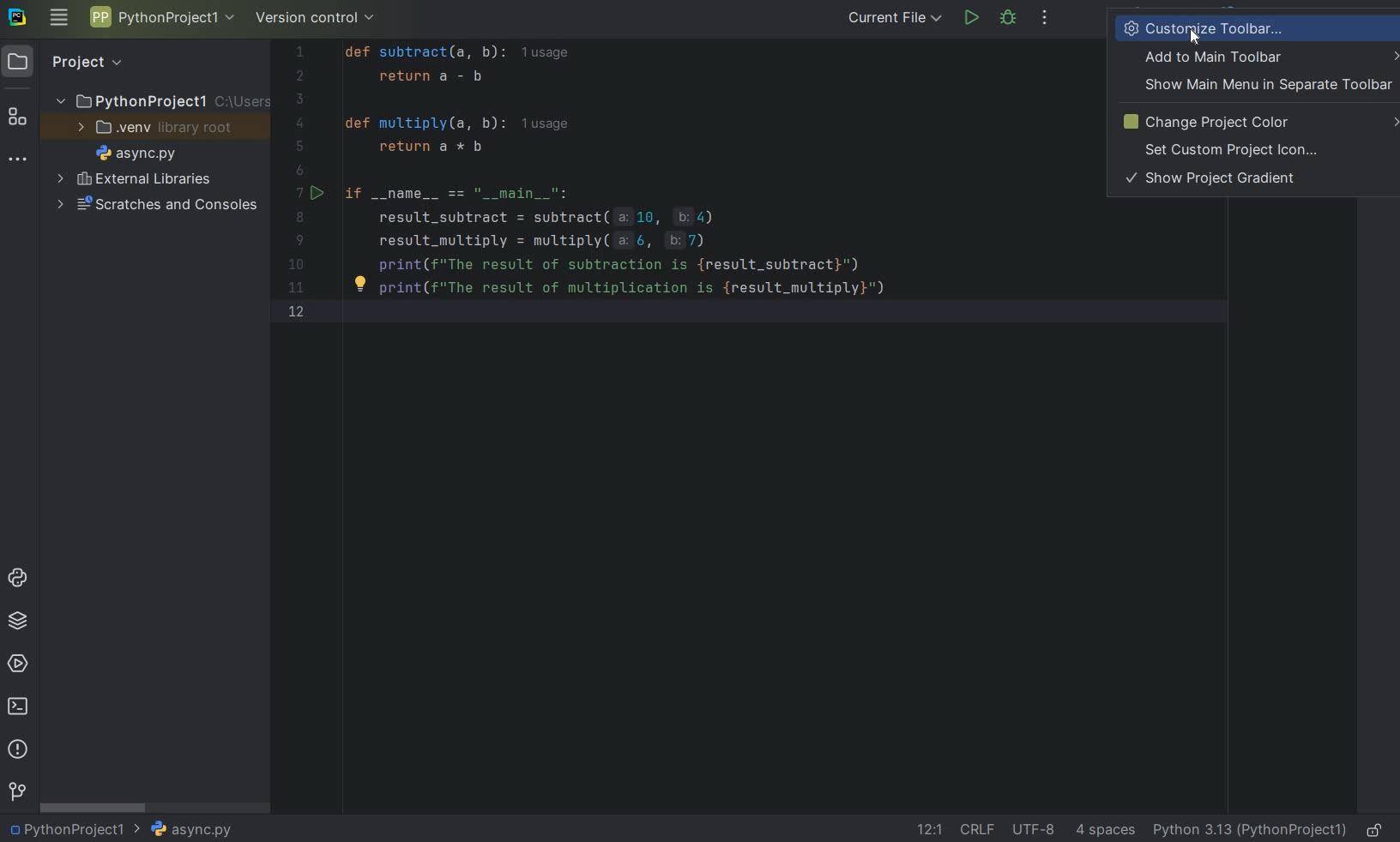 This screenshot has width=1400, height=842. Describe the element at coordinates (1196, 39) in the screenshot. I see `Cursor` at that location.